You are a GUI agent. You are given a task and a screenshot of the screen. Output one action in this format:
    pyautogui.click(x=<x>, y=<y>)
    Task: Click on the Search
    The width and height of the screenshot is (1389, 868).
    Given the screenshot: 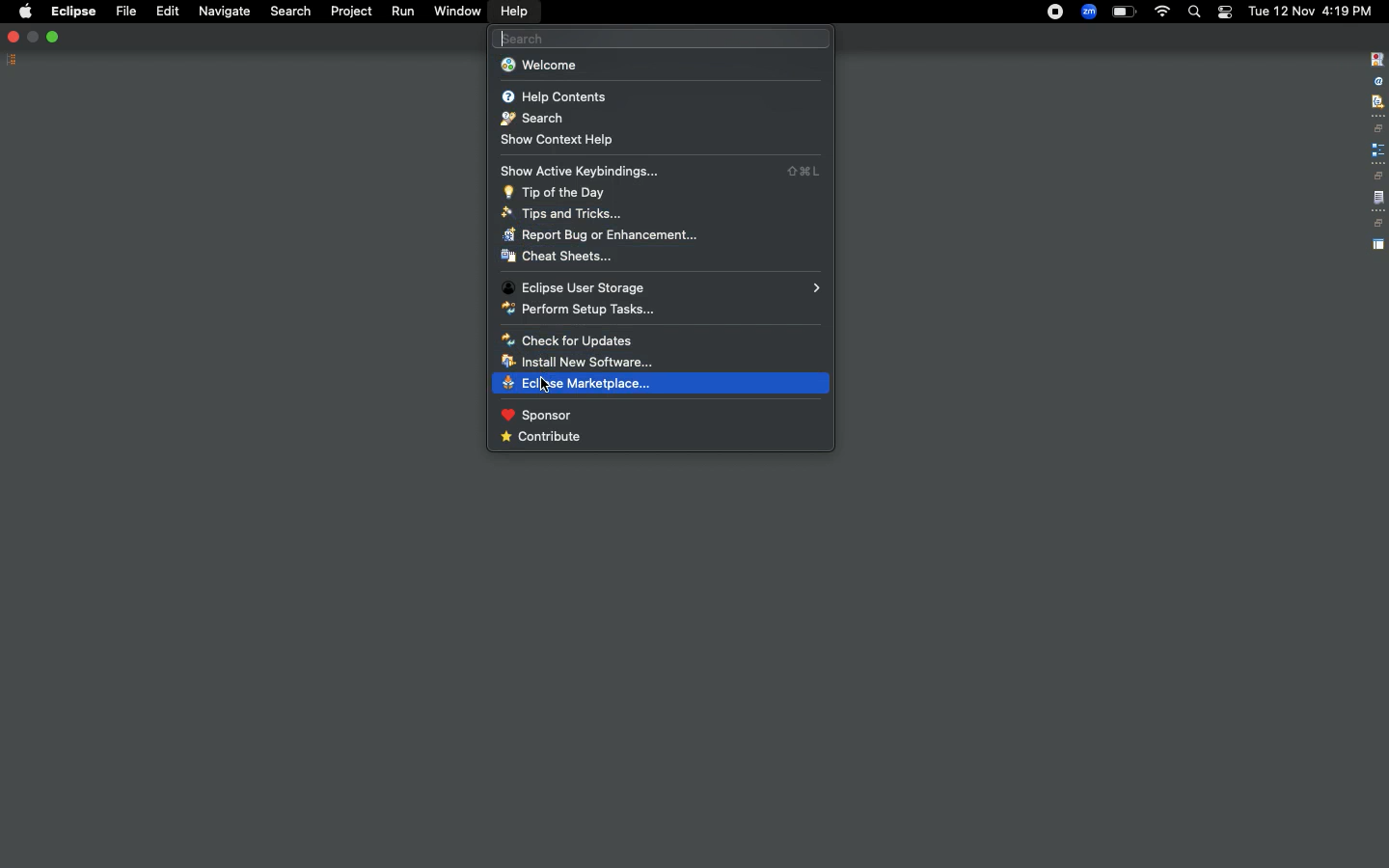 What is the action you would take?
    pyautogui.click(x=289, y=12)
    